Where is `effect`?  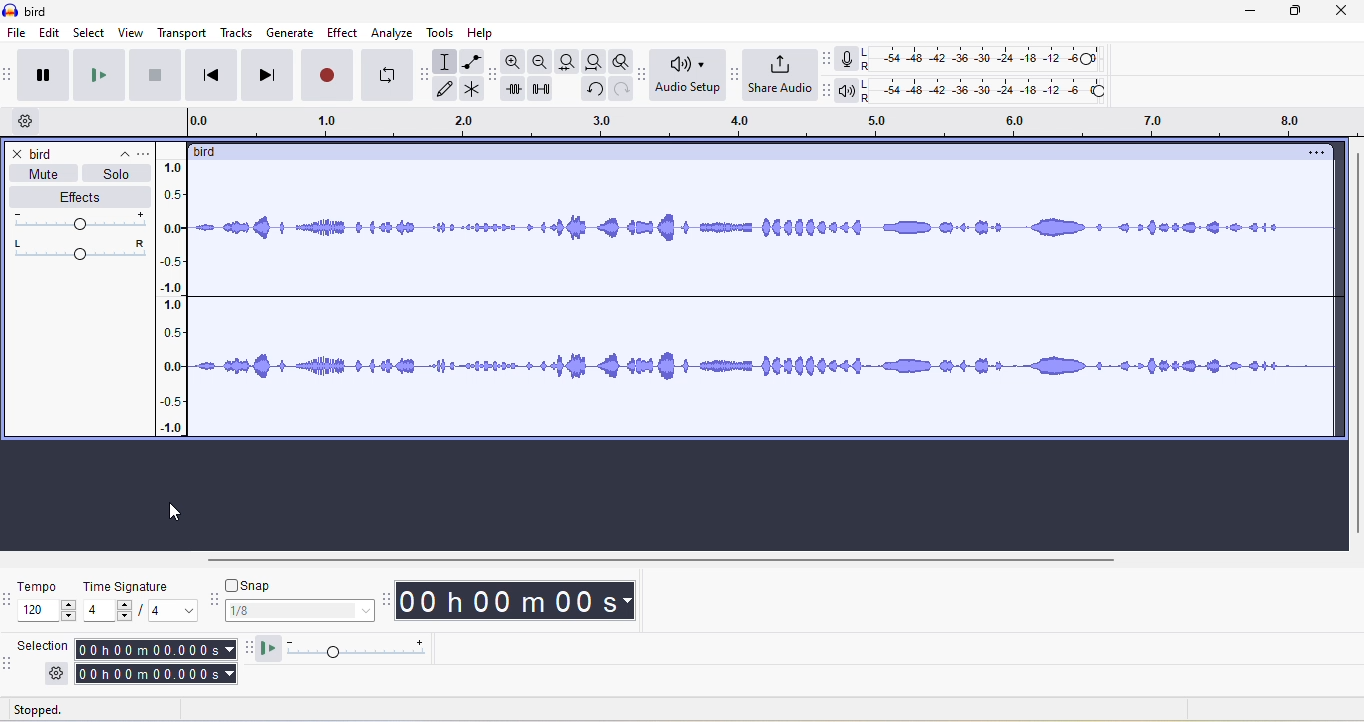
effect is located at coordinates (343, 32).